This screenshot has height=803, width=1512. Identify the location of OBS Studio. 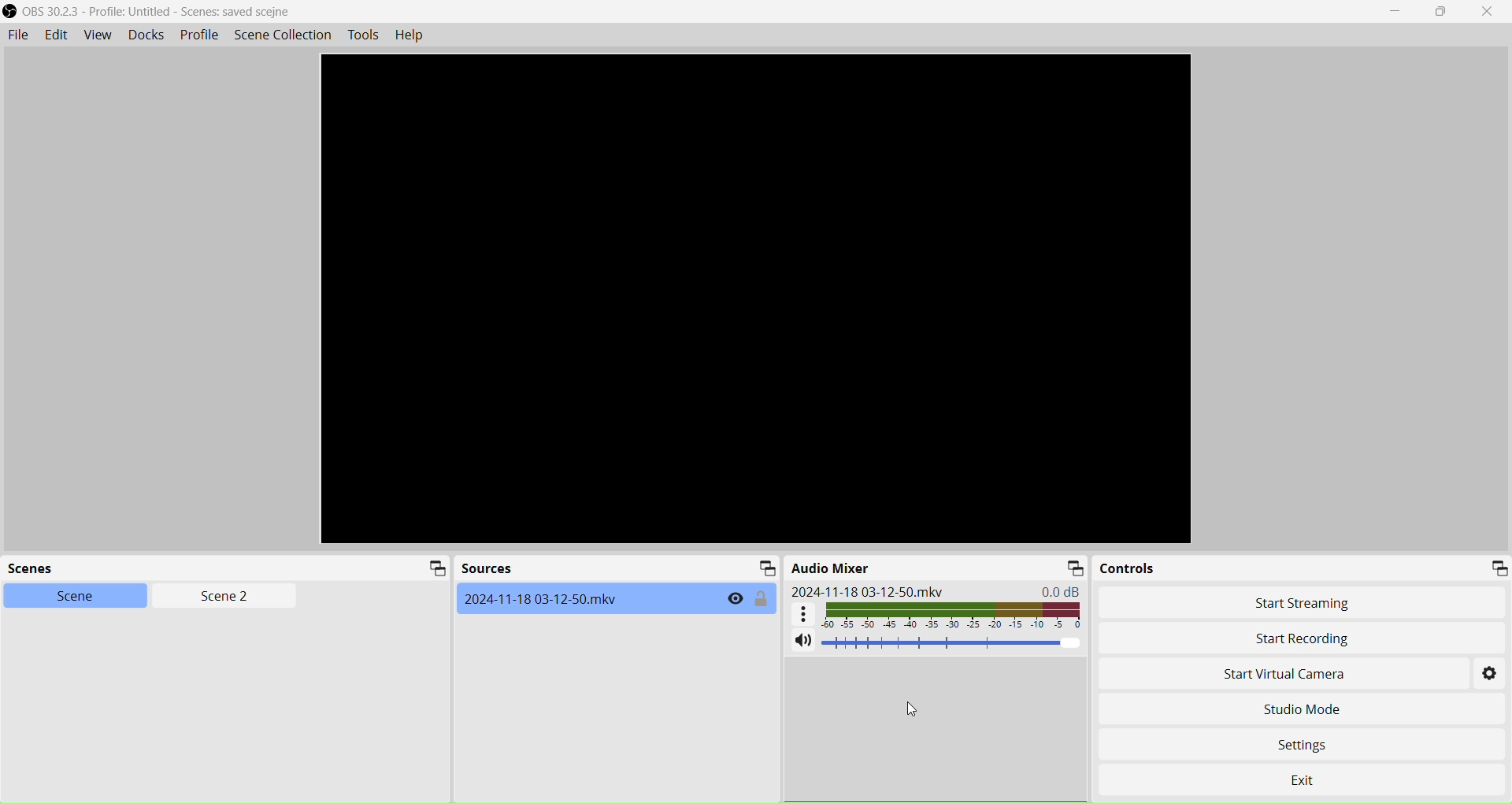
(154, 12).